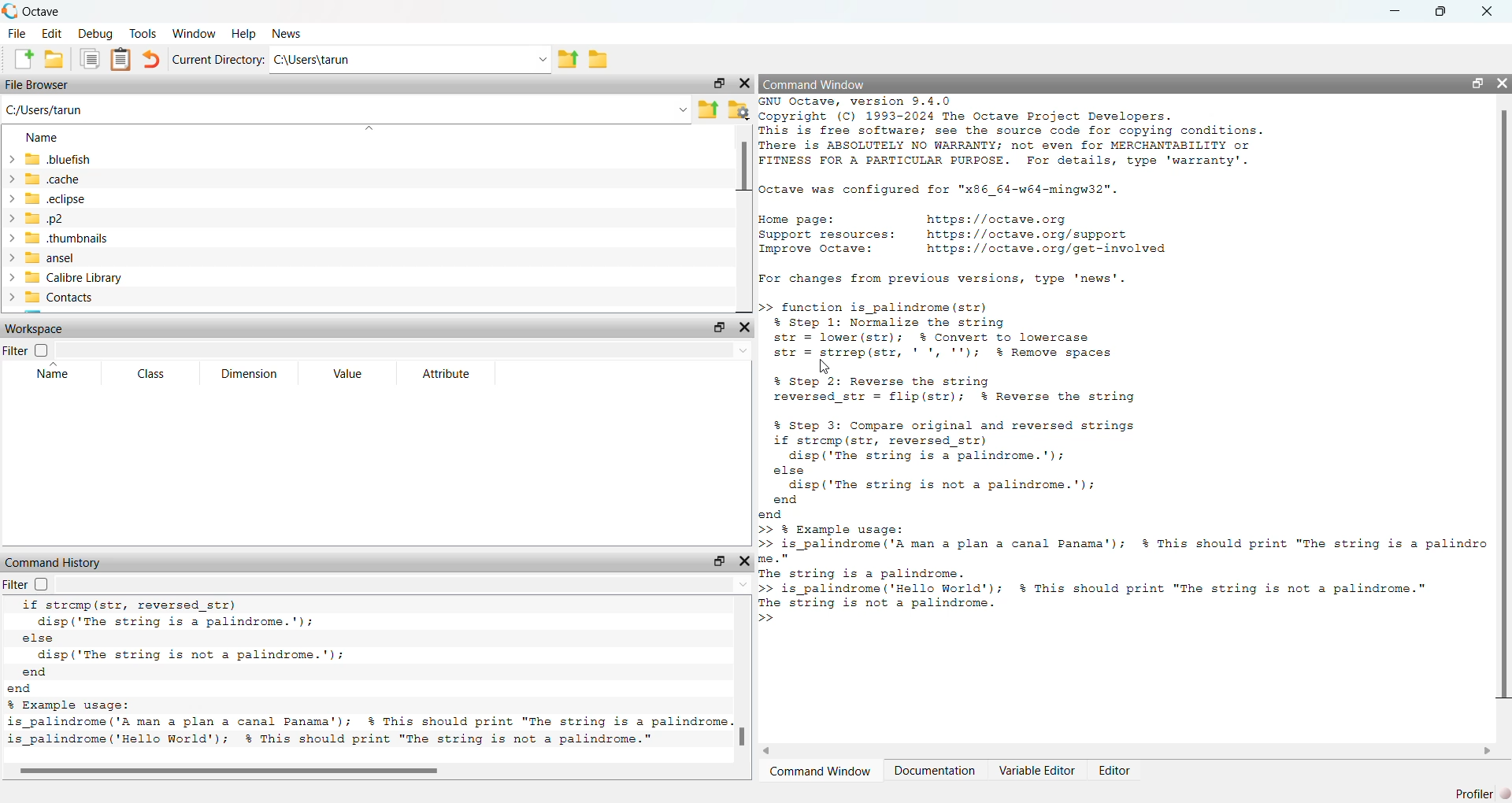 The image size is (1512, 803). I want to click on unlock widget, so click(721, 327).